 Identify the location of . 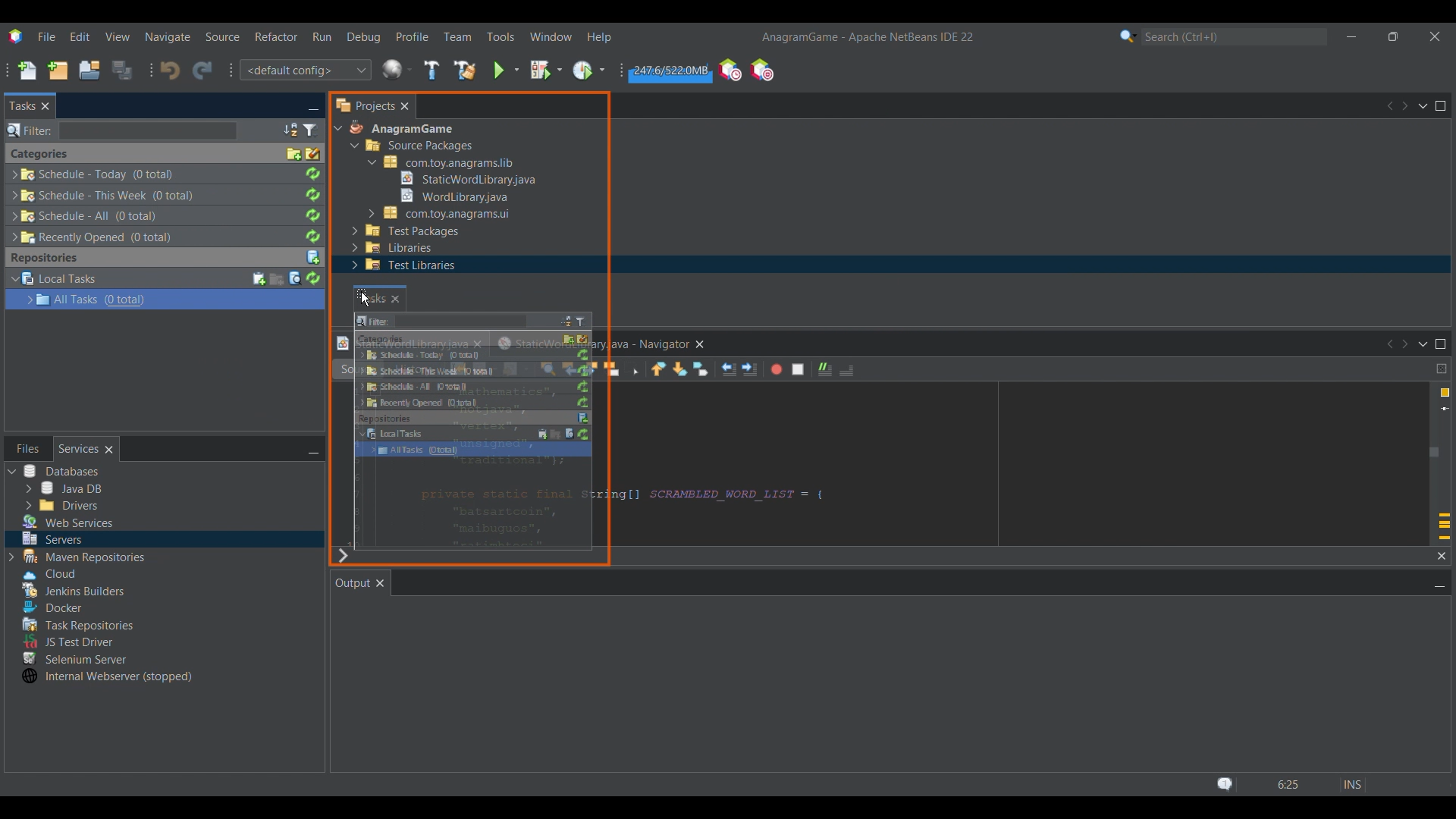
(45, 572).